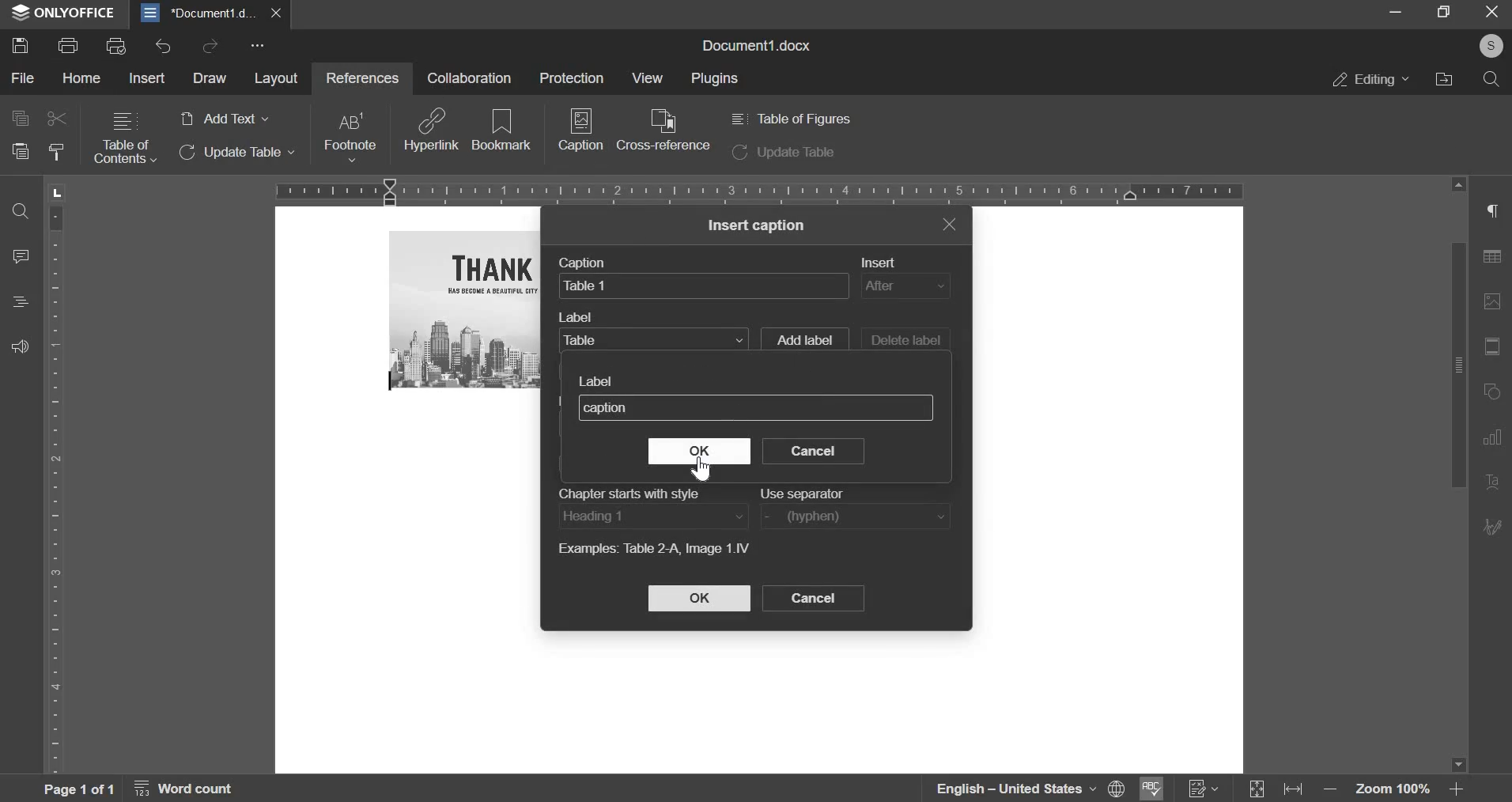 The height and width of the screenshot is (802, 1512). Describe the element at coordinates (812, 451) in the screenshot. I see `cancel` at that location.